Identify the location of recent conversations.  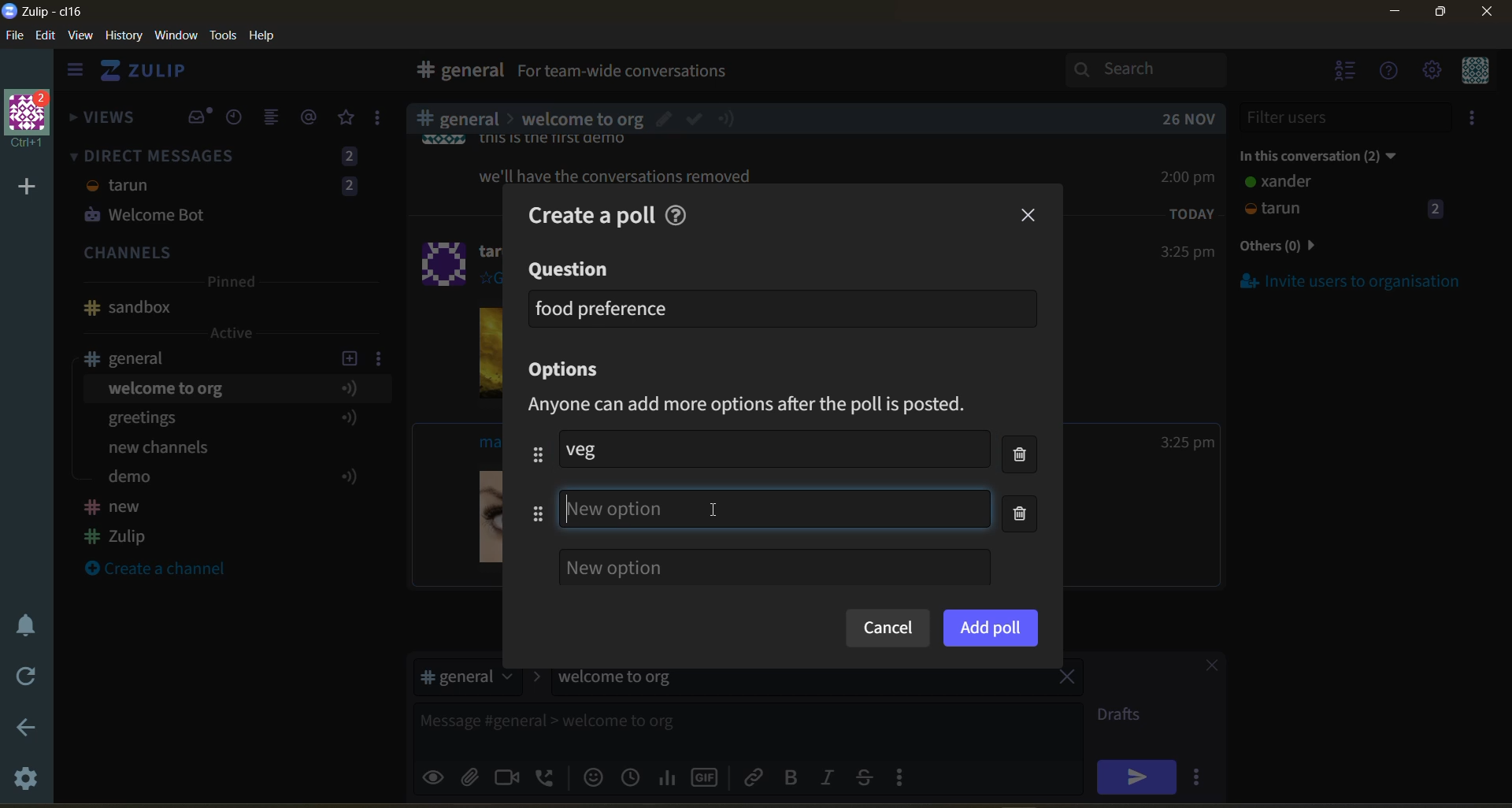
(239, 119).